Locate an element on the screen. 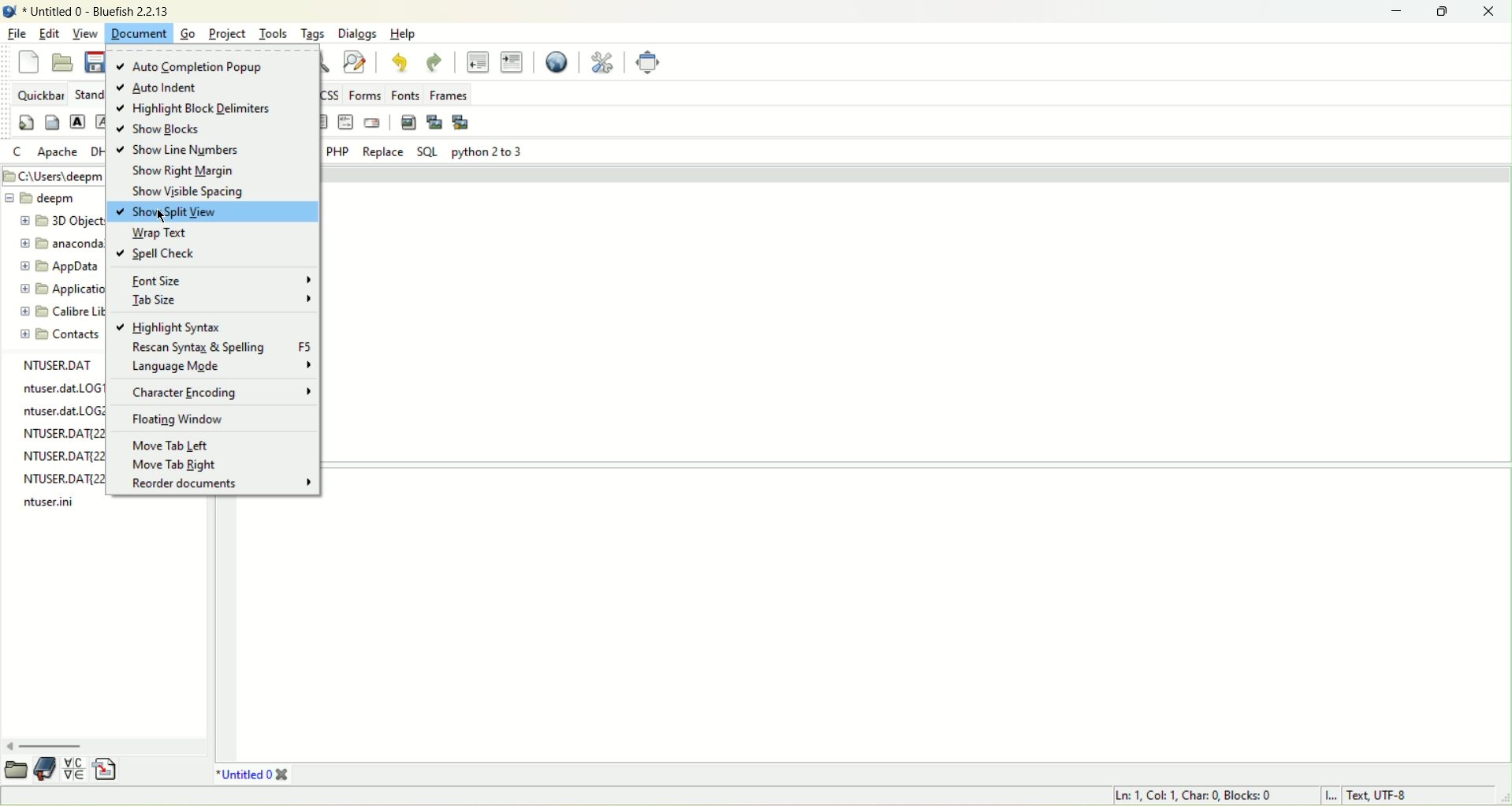 The image size is (1512, 806). NTUSER.DAT{221282a0-2361-11ee-¢ is located at coordinates (58, 478).